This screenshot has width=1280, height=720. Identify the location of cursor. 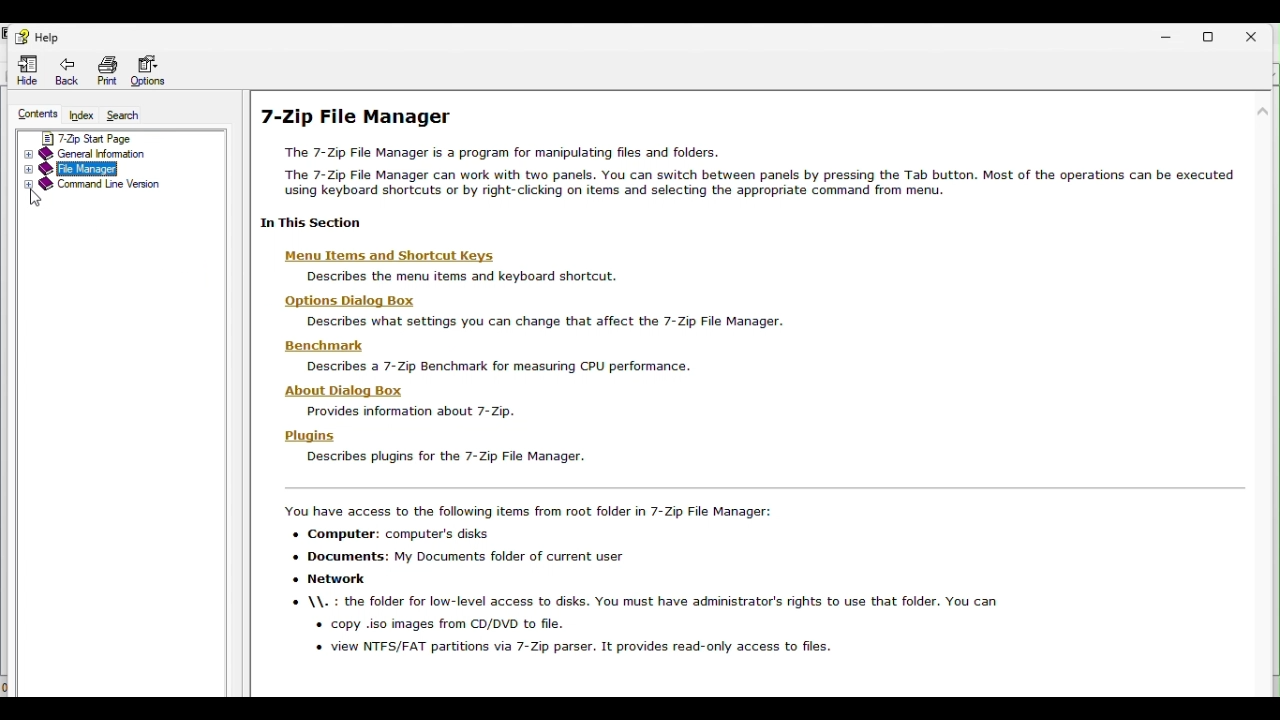
(38, 200).